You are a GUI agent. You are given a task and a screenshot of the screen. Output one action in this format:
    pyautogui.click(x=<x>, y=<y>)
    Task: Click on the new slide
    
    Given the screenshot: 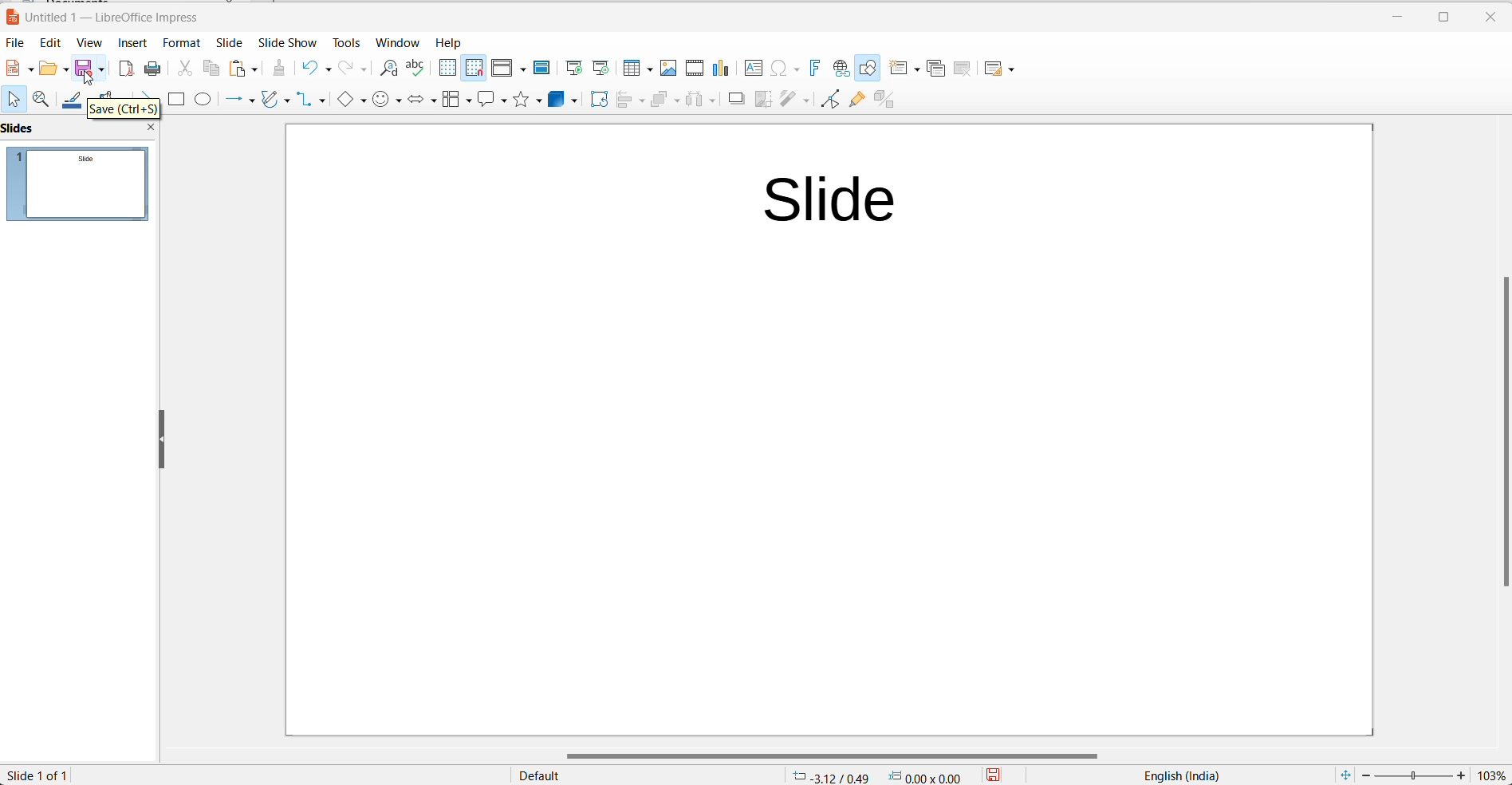 What is the action you would take?
    pyautogui.click(x=902, y=69)
    